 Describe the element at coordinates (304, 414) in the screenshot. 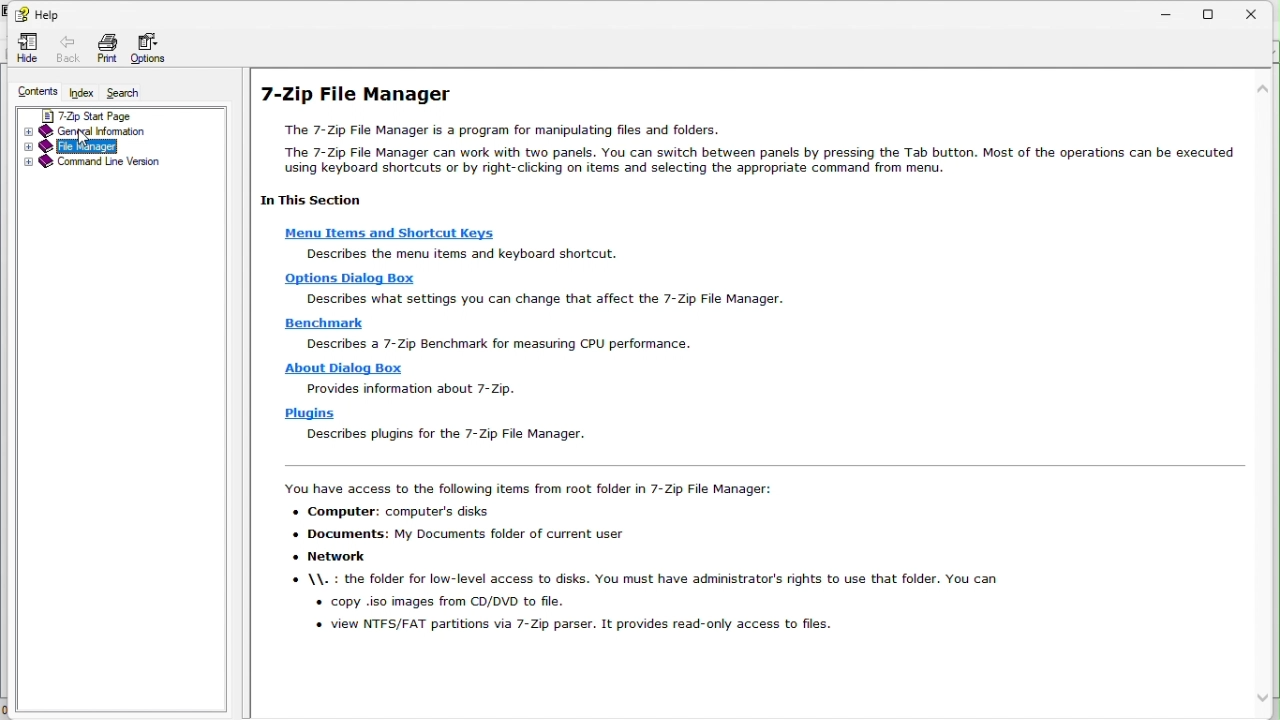

I see `plugins` at that location.